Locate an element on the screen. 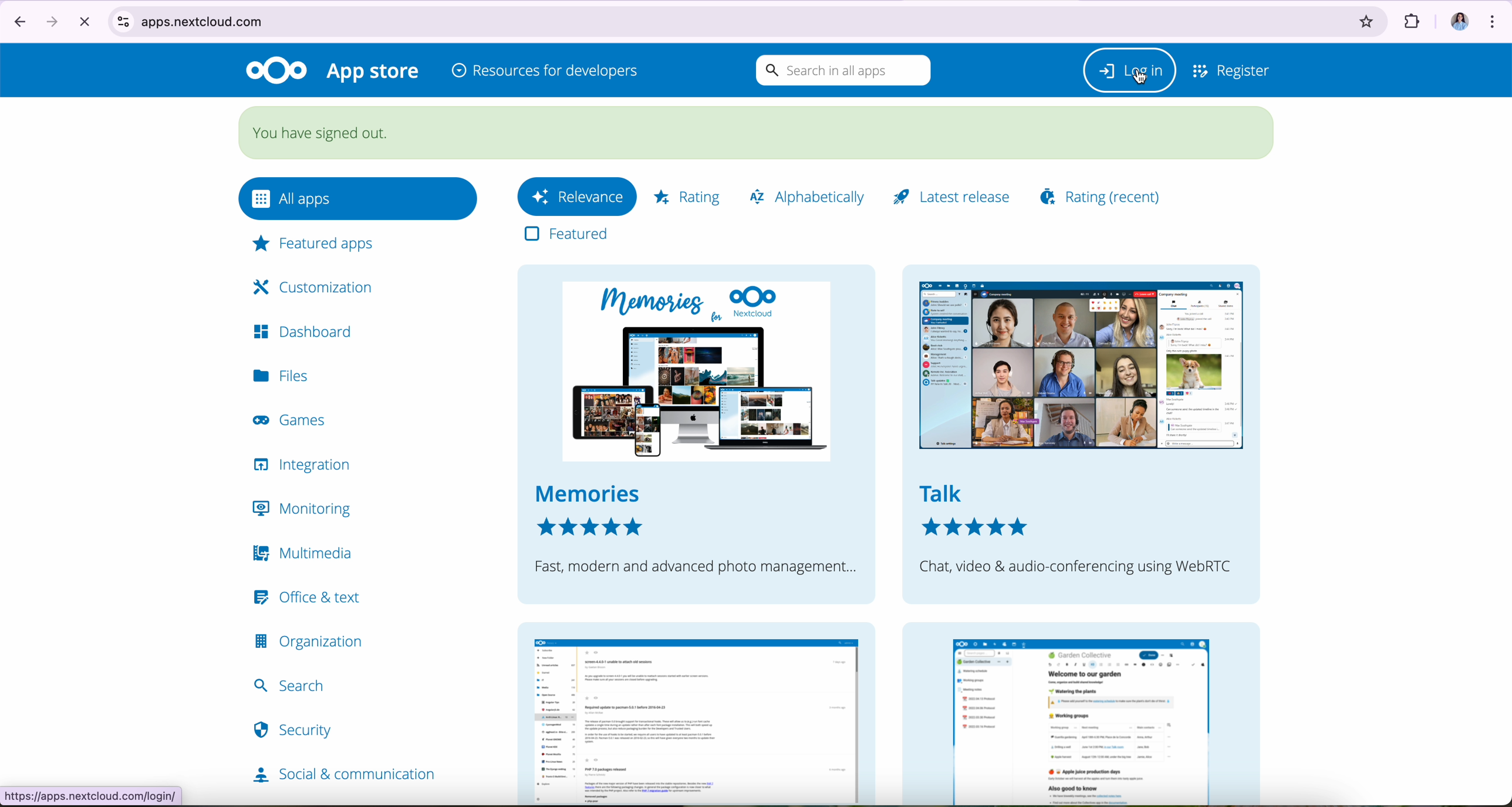 The height and width of the screenshot is (807, 1512). social & communication is located at coordinates (344, 773).